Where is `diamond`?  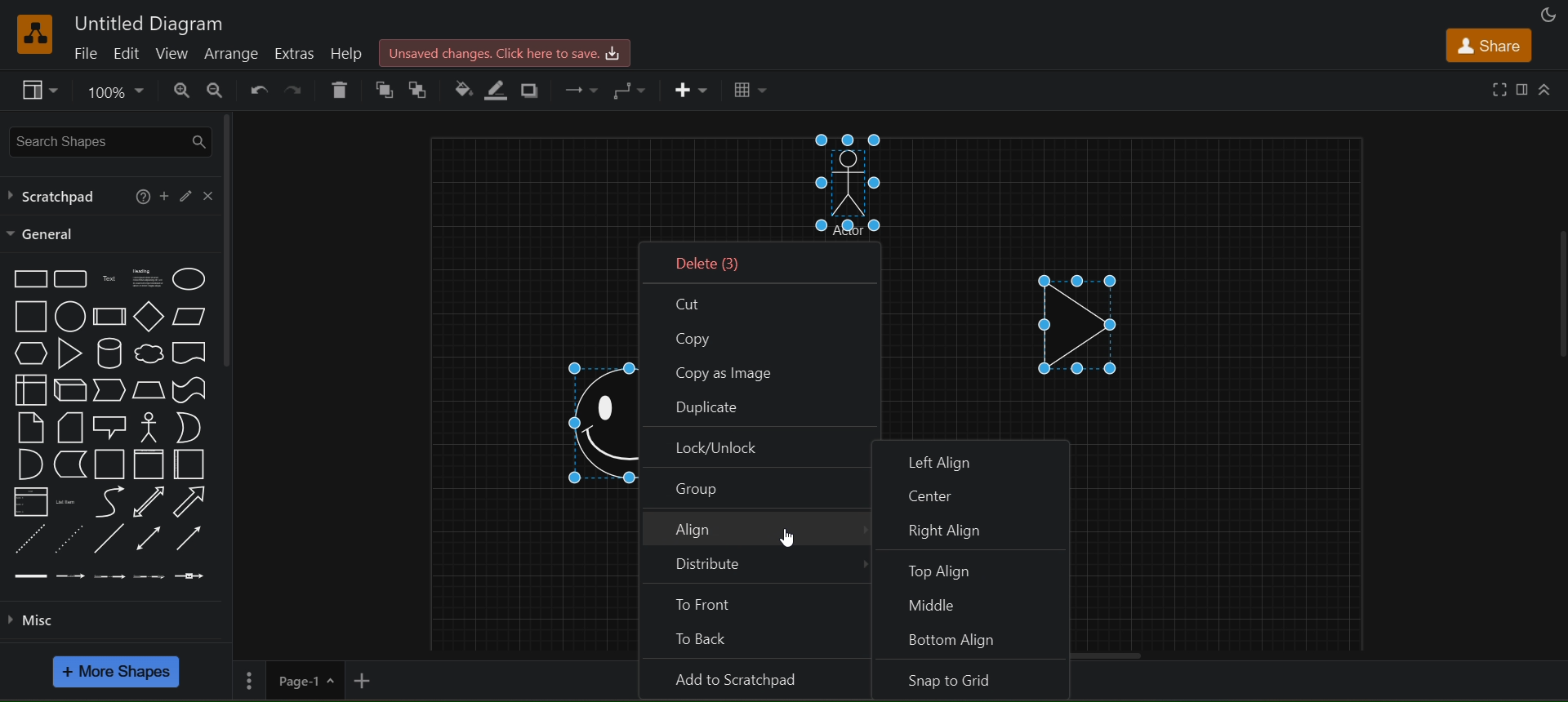 diamond is located at coordinates (145, 317).